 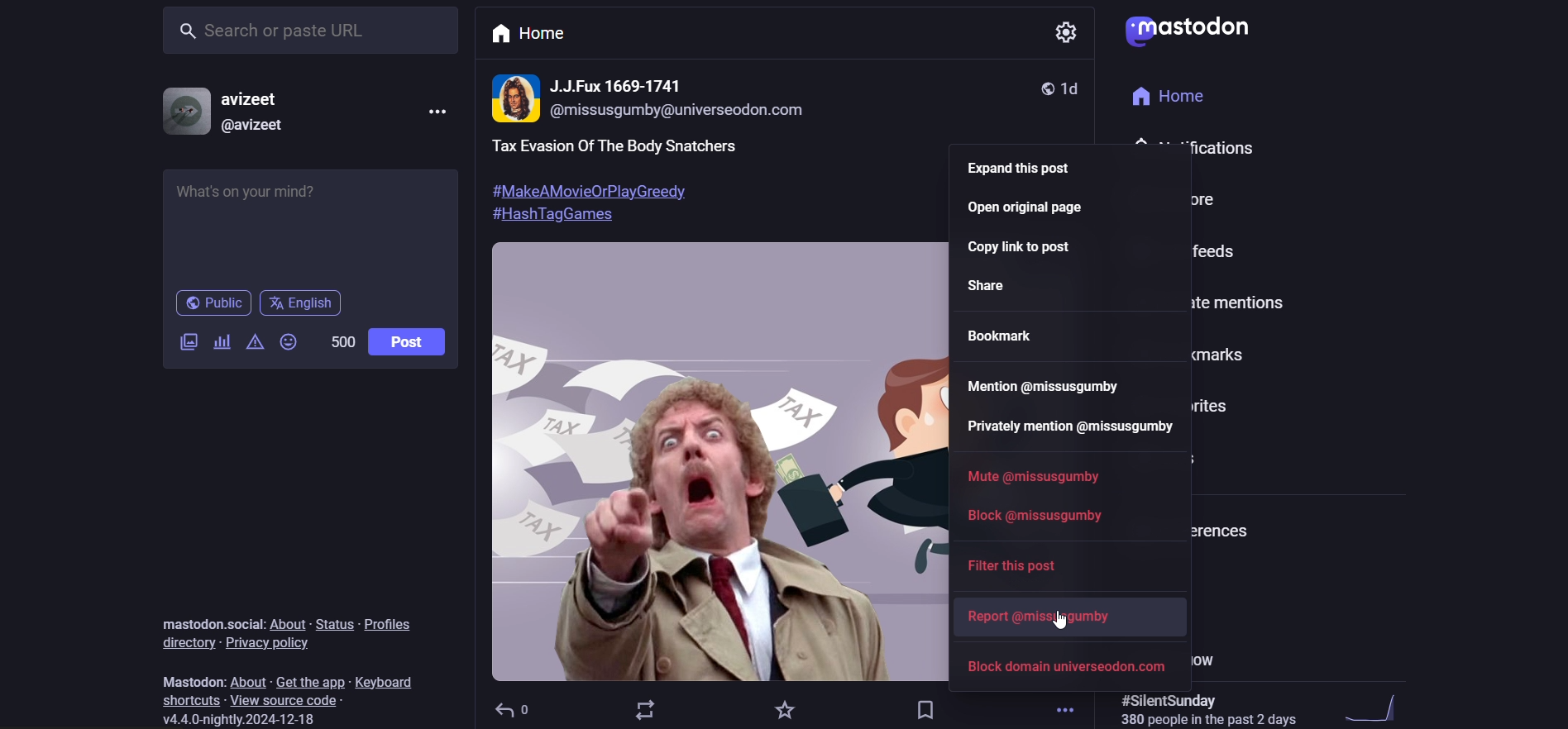 I want to click on post here, so click(x=308, y=220).